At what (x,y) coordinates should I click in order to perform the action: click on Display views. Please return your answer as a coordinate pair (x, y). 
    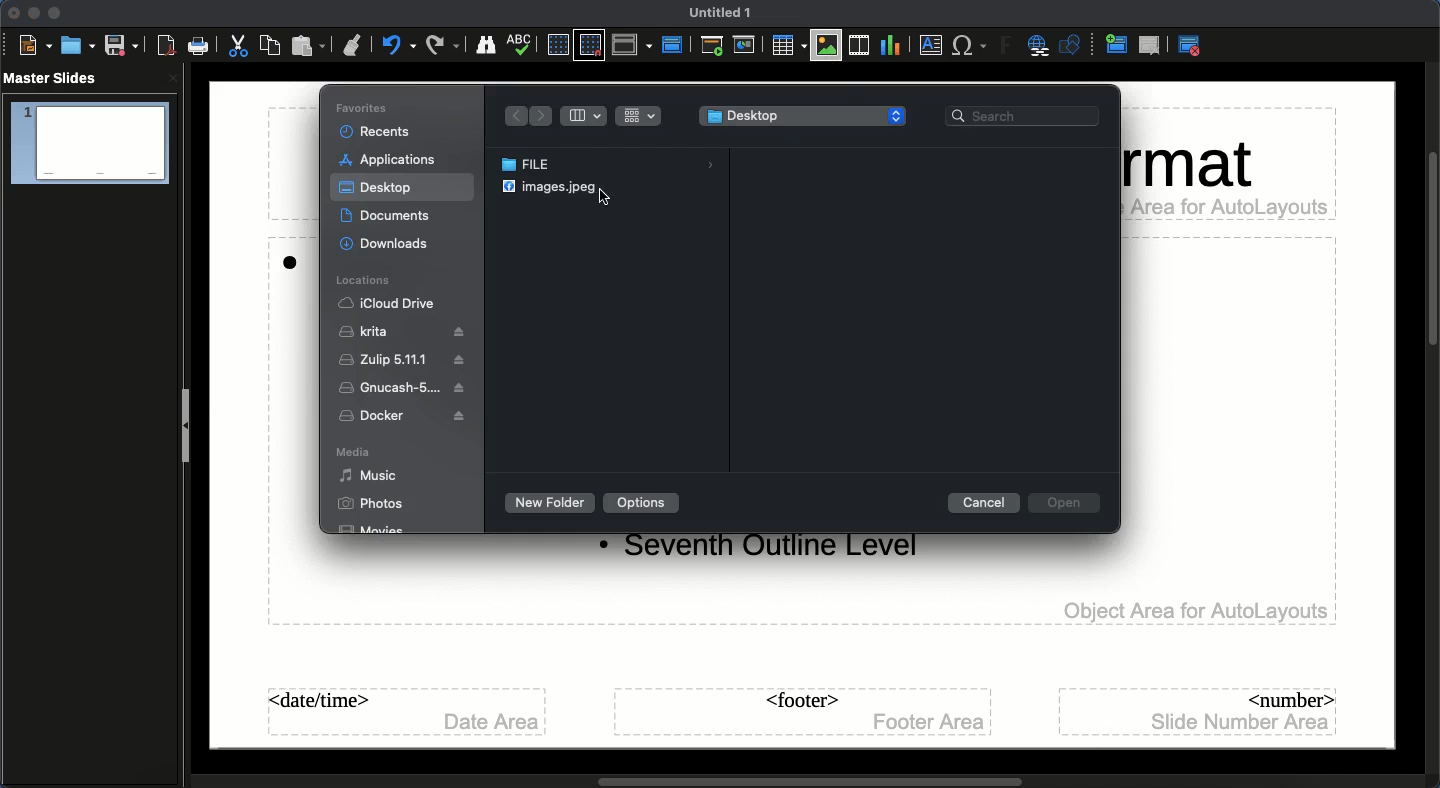
    Looking at the image, I should click on (632, 45).